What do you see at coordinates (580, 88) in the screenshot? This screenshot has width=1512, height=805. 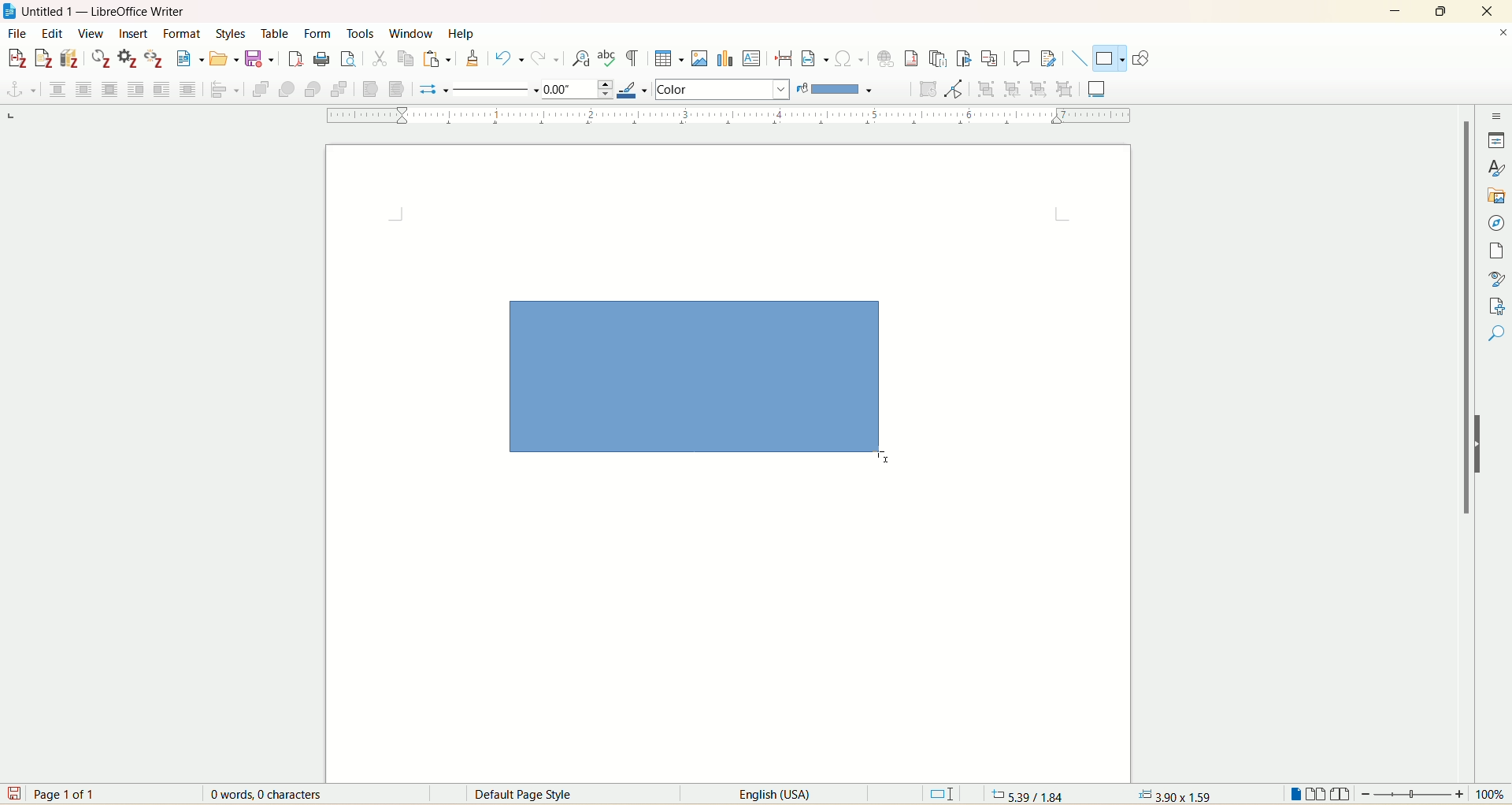 I see `line thickness` at bounding box center [580, 88].